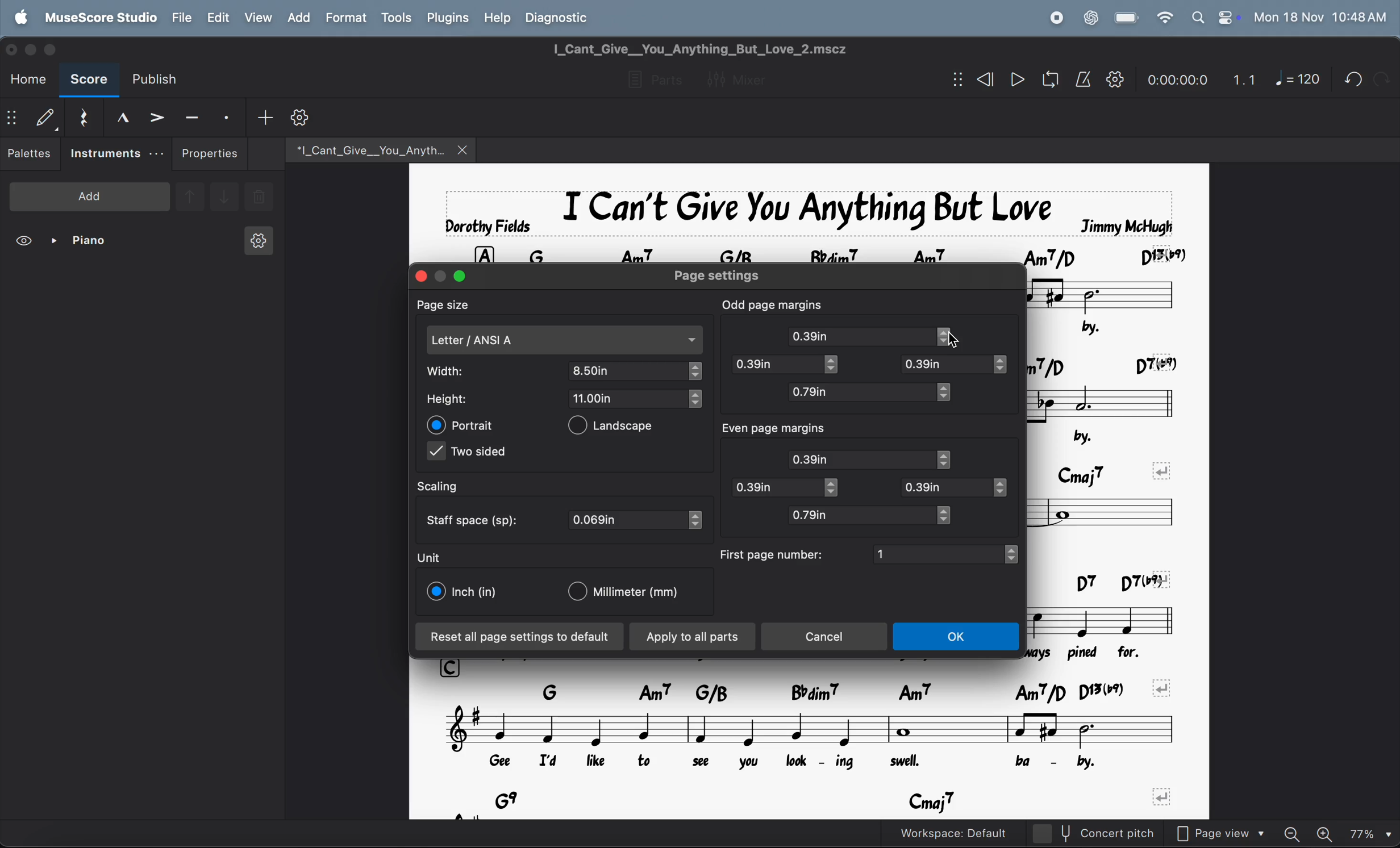  Describe the element at coordinates (1297, 830) in the screenshot. I see `zoom out` at that location.